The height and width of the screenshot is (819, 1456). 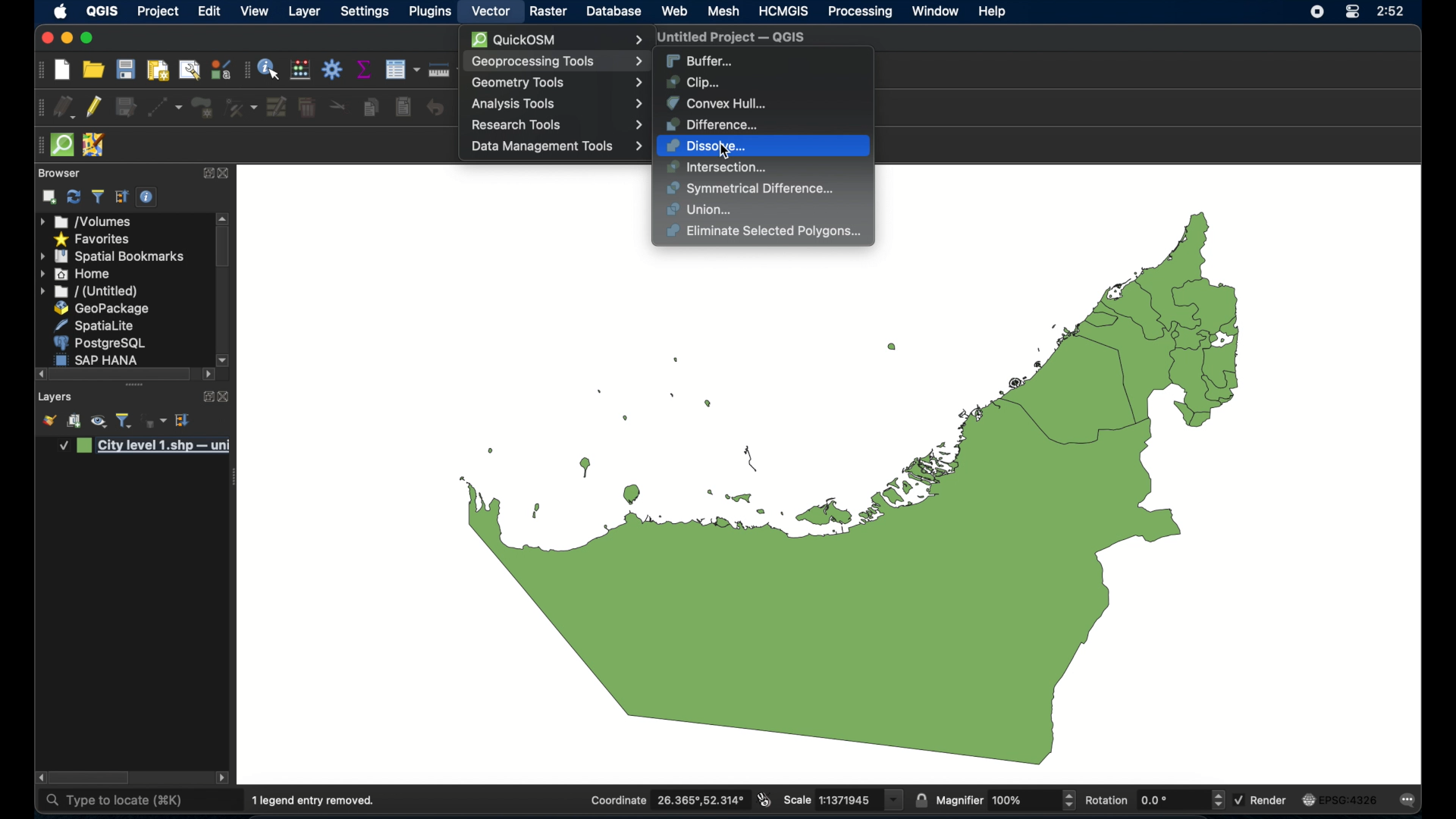 I want to click on undo, so click(x=435, y=108).